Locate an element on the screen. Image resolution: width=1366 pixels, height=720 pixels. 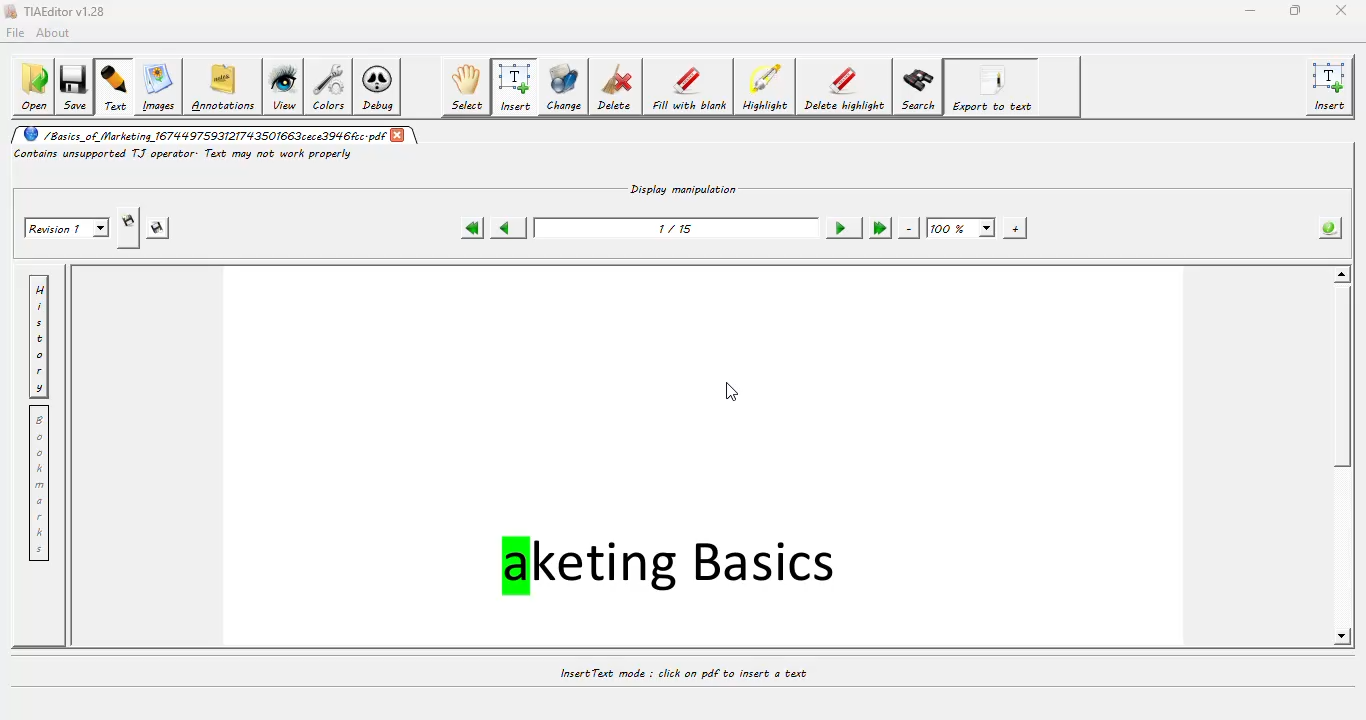
zoom in is located at coordinates (1012, 227).